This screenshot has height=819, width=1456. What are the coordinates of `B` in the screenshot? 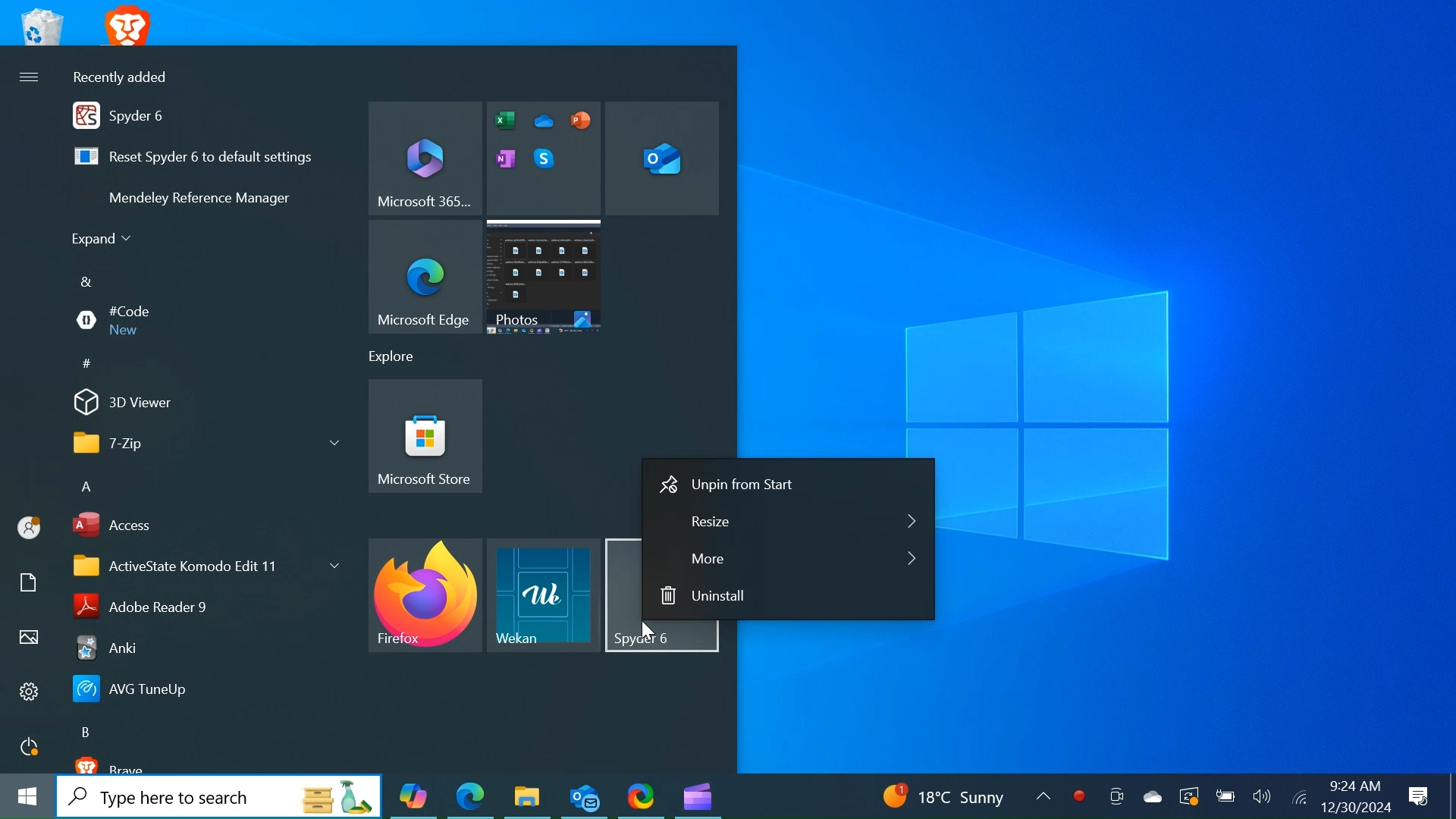 It's located at (87, 732).